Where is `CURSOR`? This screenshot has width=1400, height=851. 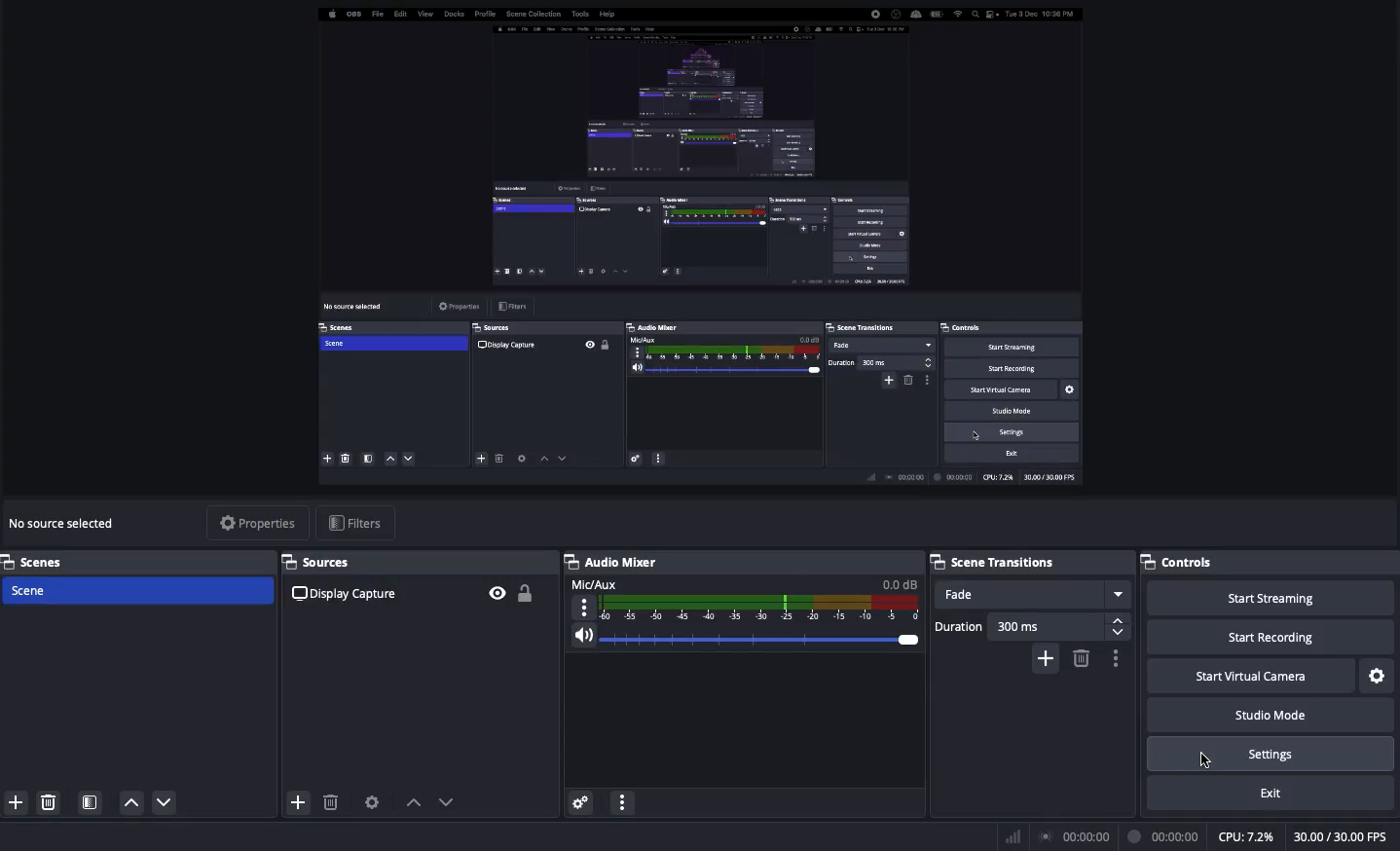 CURSOR is located at coordinates (1198, 761).